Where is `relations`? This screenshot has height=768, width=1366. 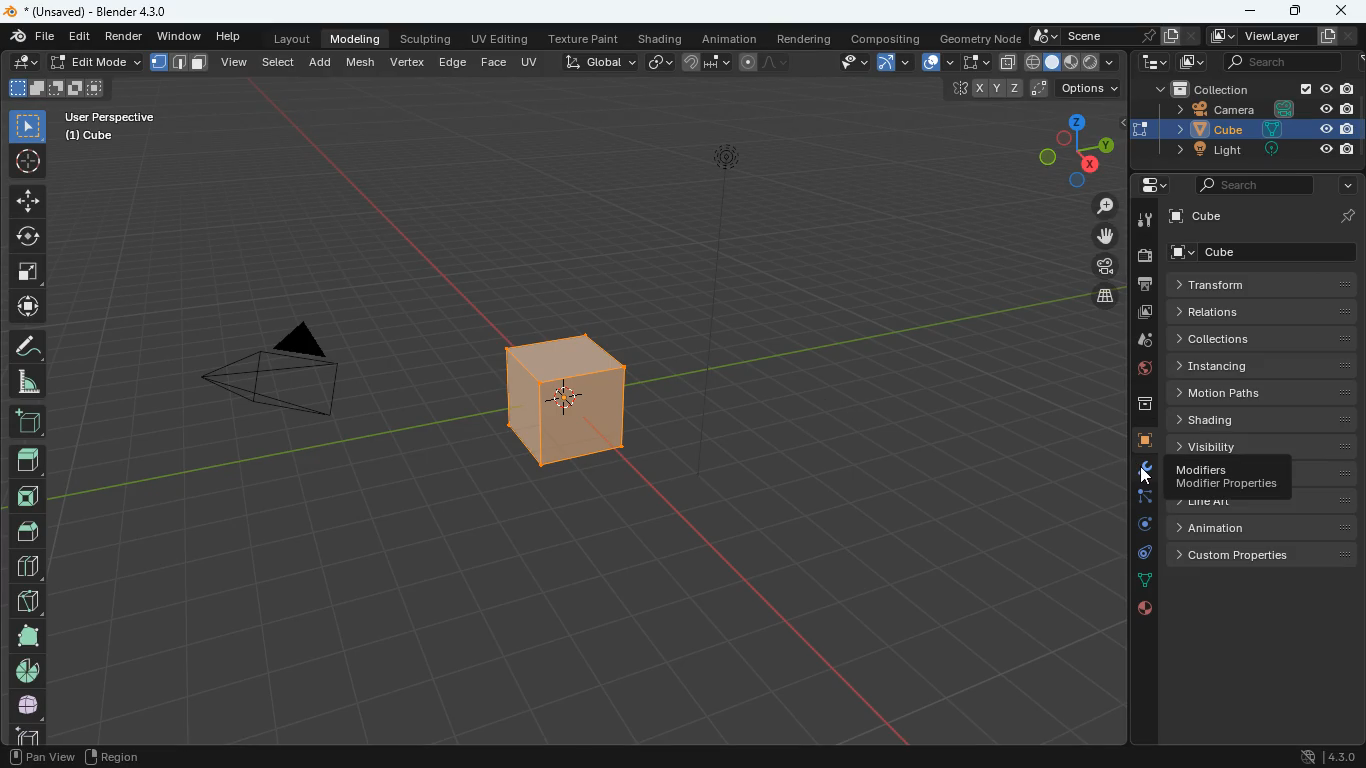 relations is located at coordinates (1260, 312).